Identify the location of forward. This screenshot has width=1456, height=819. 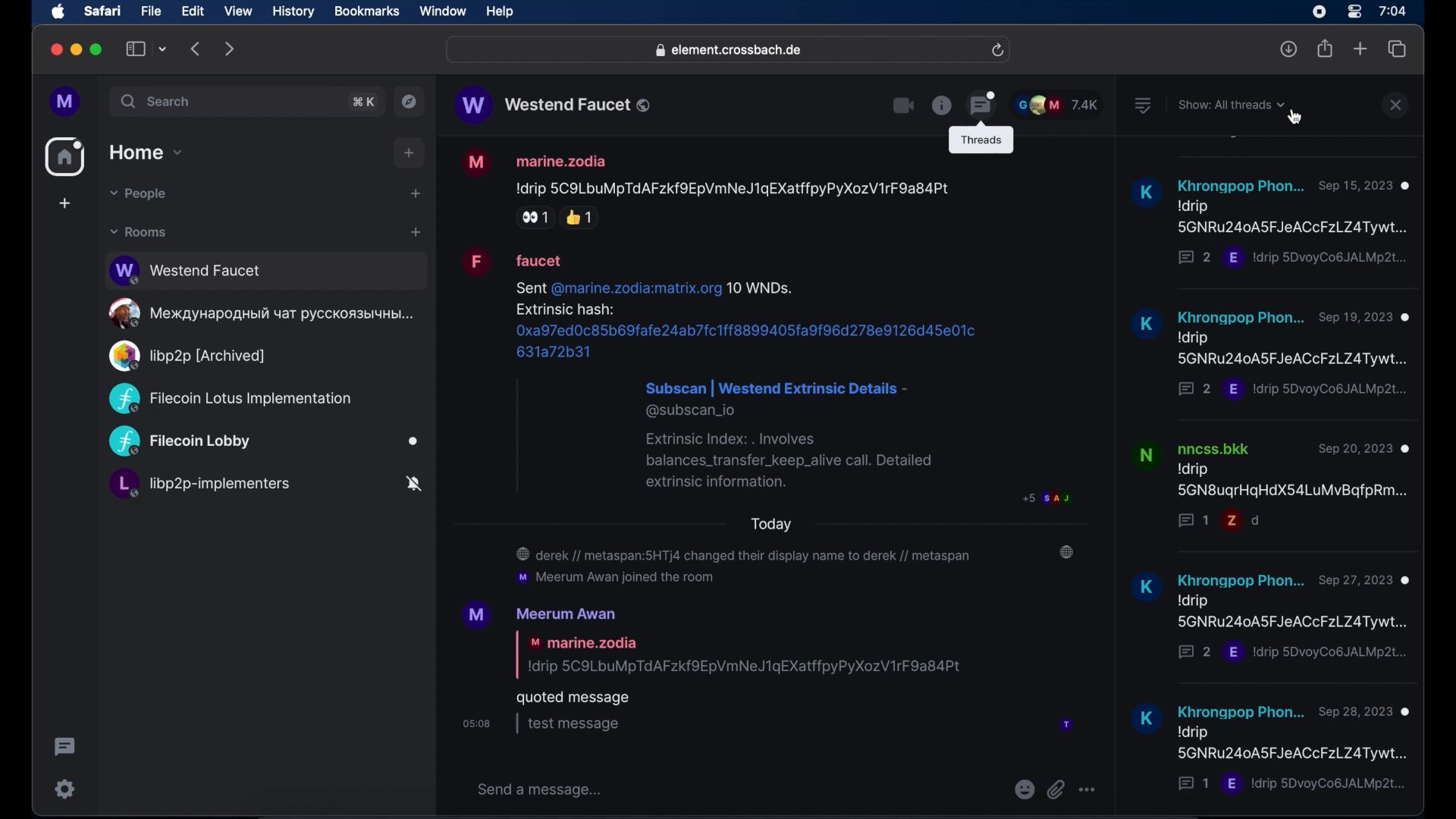
(231, 49).